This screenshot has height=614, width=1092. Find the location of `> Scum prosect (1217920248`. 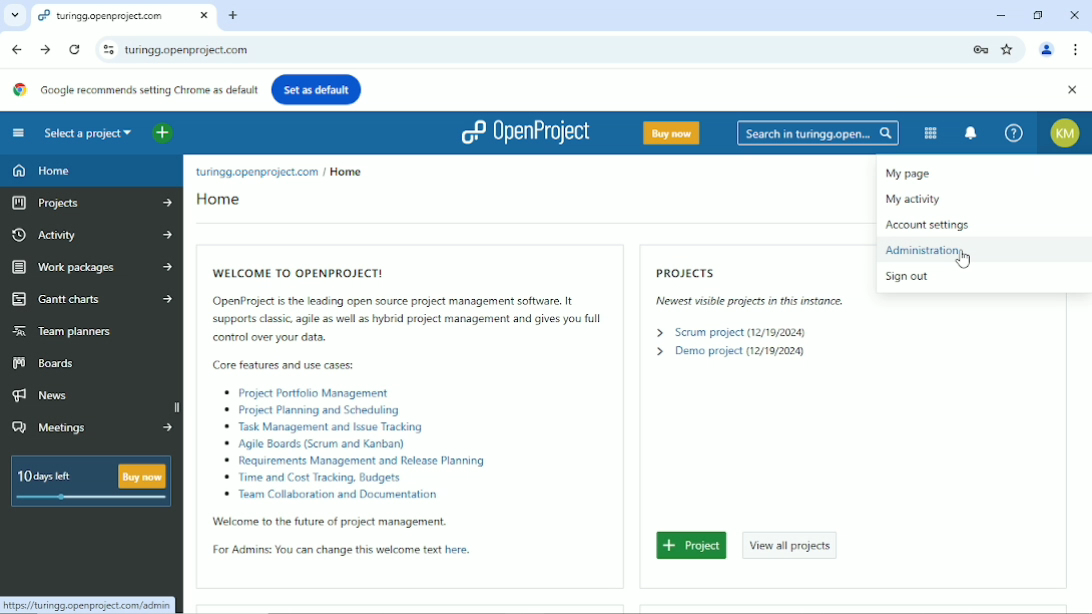

> Scum prosect (1217920248 is located at coordinates (725, 332).